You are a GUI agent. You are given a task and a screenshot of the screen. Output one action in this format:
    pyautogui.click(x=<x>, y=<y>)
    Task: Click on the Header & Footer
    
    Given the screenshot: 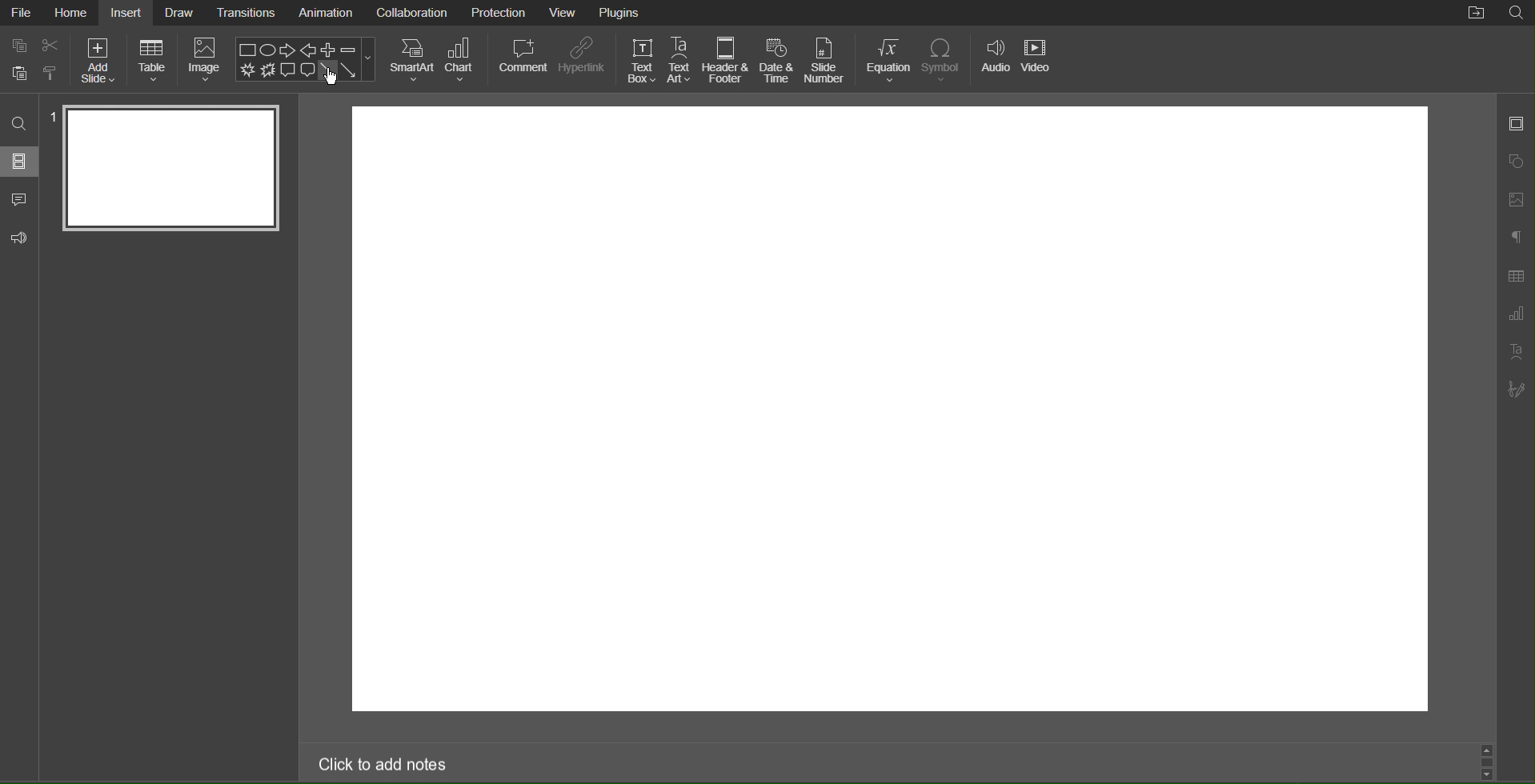 What is the action you would take?
    pyautogui.click(x=727, y=61)
    